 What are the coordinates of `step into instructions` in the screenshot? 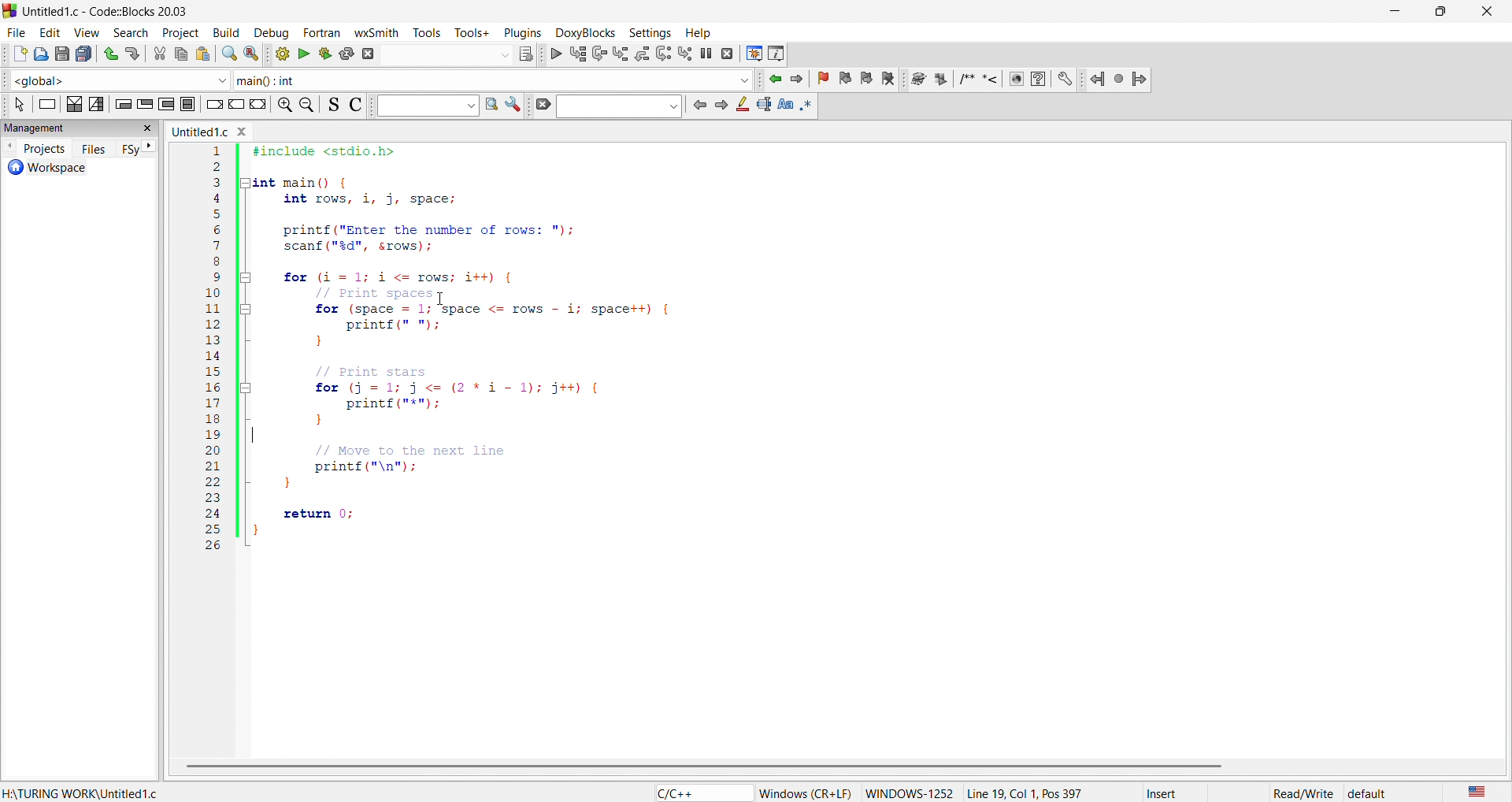 It's located at (686, 53).